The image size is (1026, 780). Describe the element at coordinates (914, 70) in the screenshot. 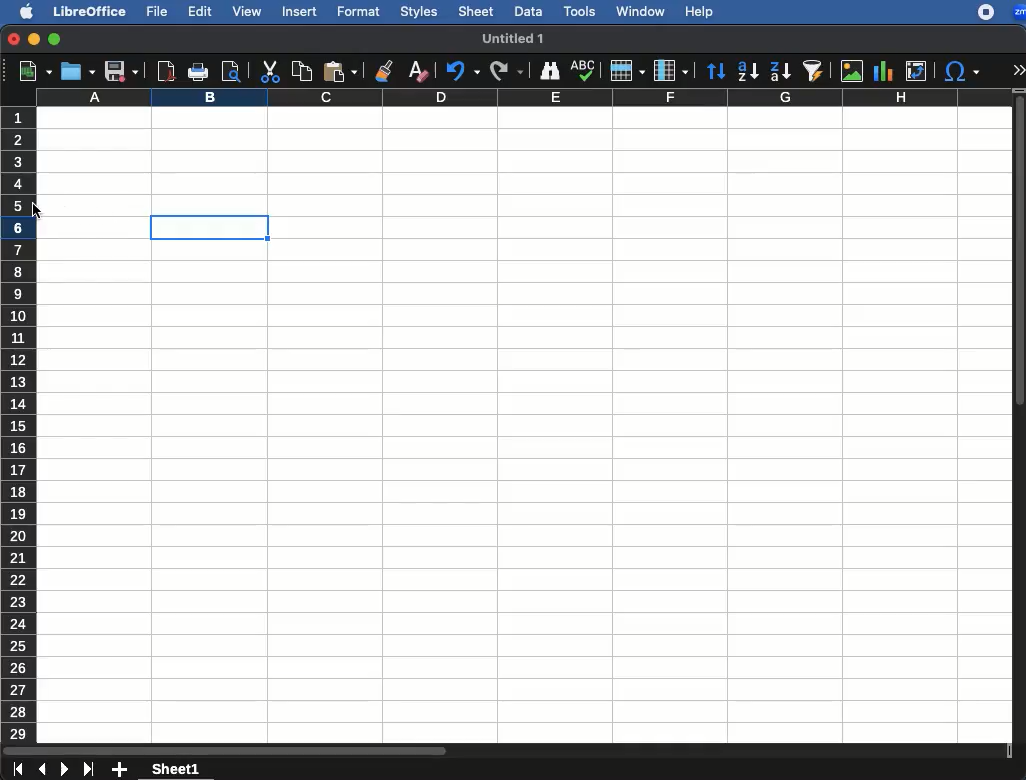

I see `pivot table` at that location.